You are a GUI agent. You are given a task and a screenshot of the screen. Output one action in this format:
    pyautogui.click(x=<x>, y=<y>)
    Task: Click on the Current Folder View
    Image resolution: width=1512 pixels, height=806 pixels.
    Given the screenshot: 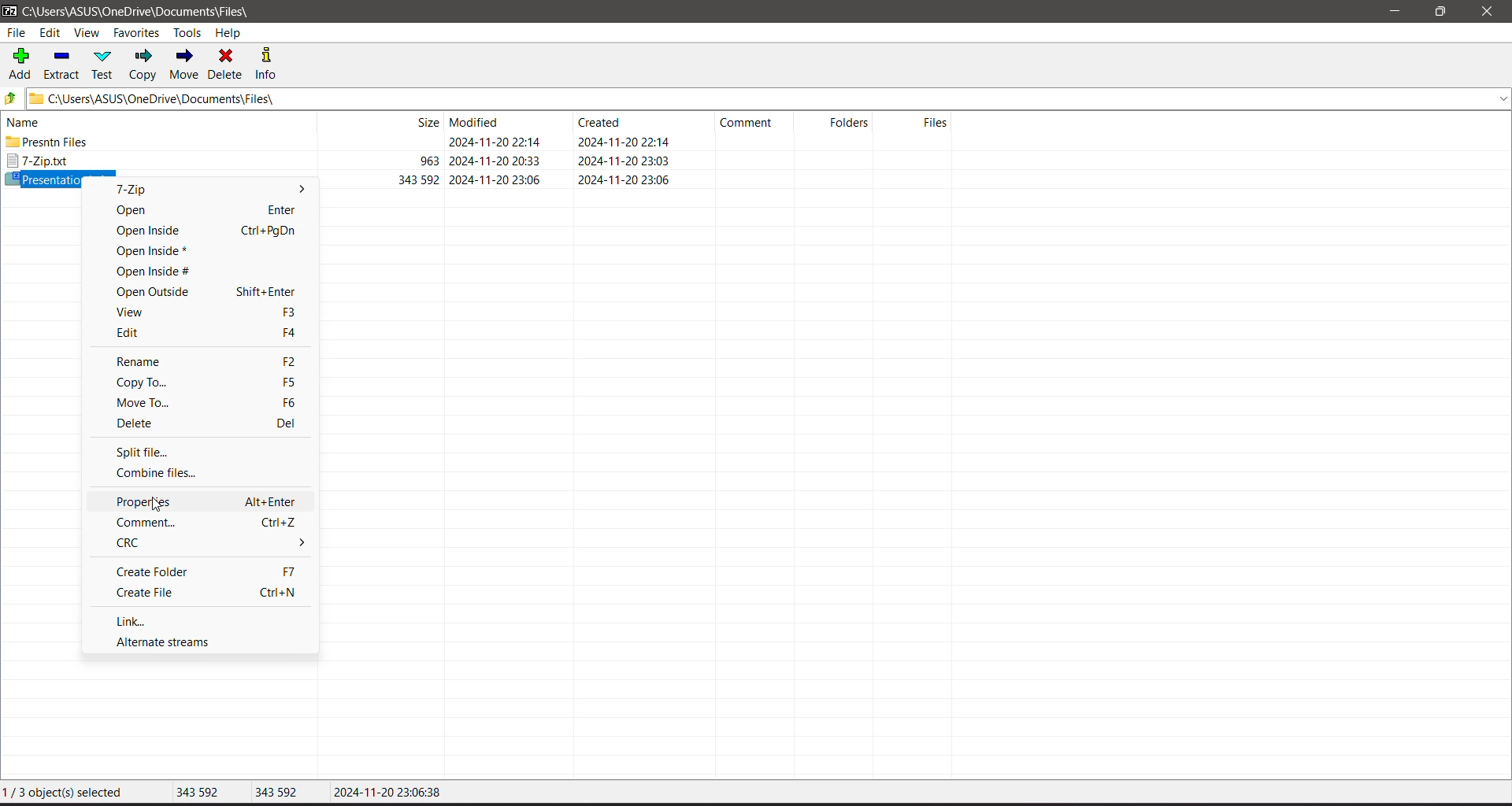 What is the action you would take?
    pyautogui.click(x=484, y=121)
    